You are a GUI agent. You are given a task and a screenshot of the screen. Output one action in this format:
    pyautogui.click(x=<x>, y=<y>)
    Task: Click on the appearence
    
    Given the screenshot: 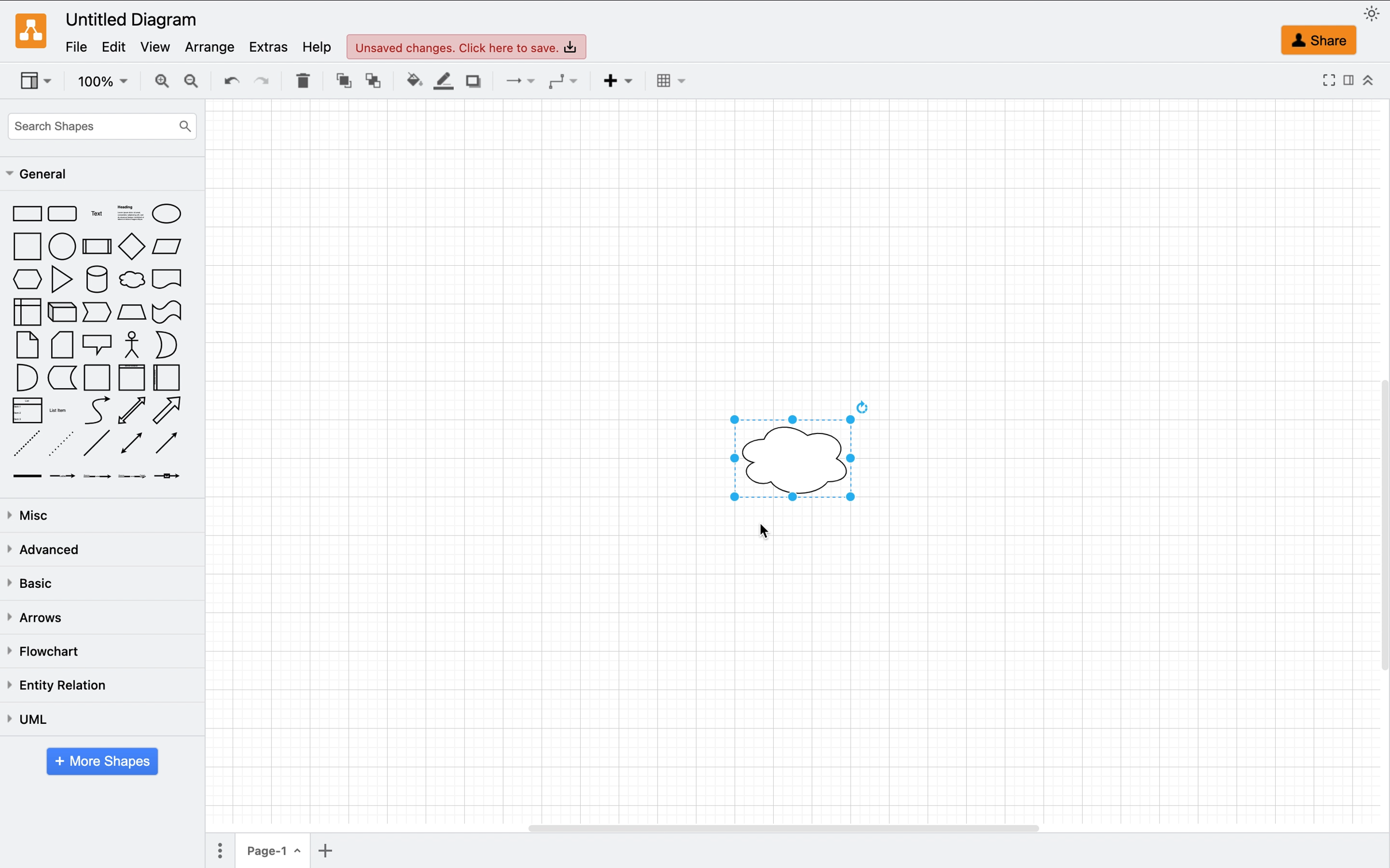 What is the action you would take?
    pyautogui.click(x=1374, y=13)
    